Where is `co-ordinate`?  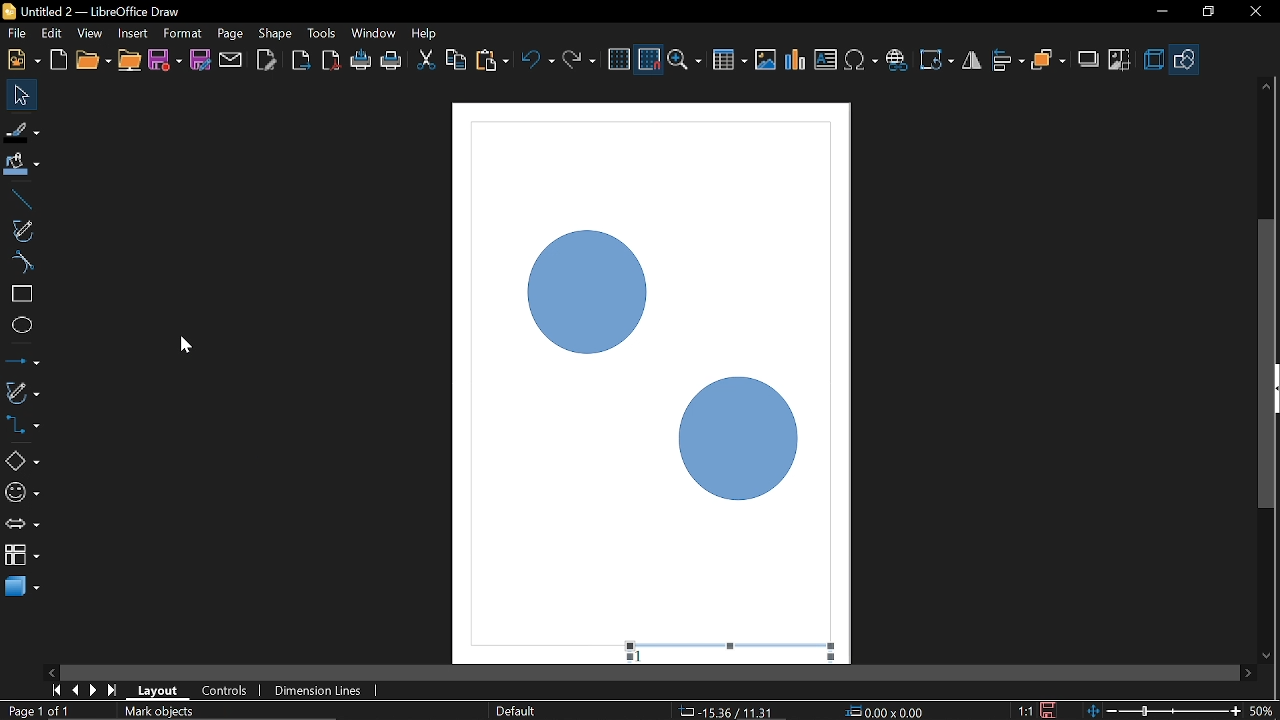 co-ordinate is located at coordinates (888, 711).